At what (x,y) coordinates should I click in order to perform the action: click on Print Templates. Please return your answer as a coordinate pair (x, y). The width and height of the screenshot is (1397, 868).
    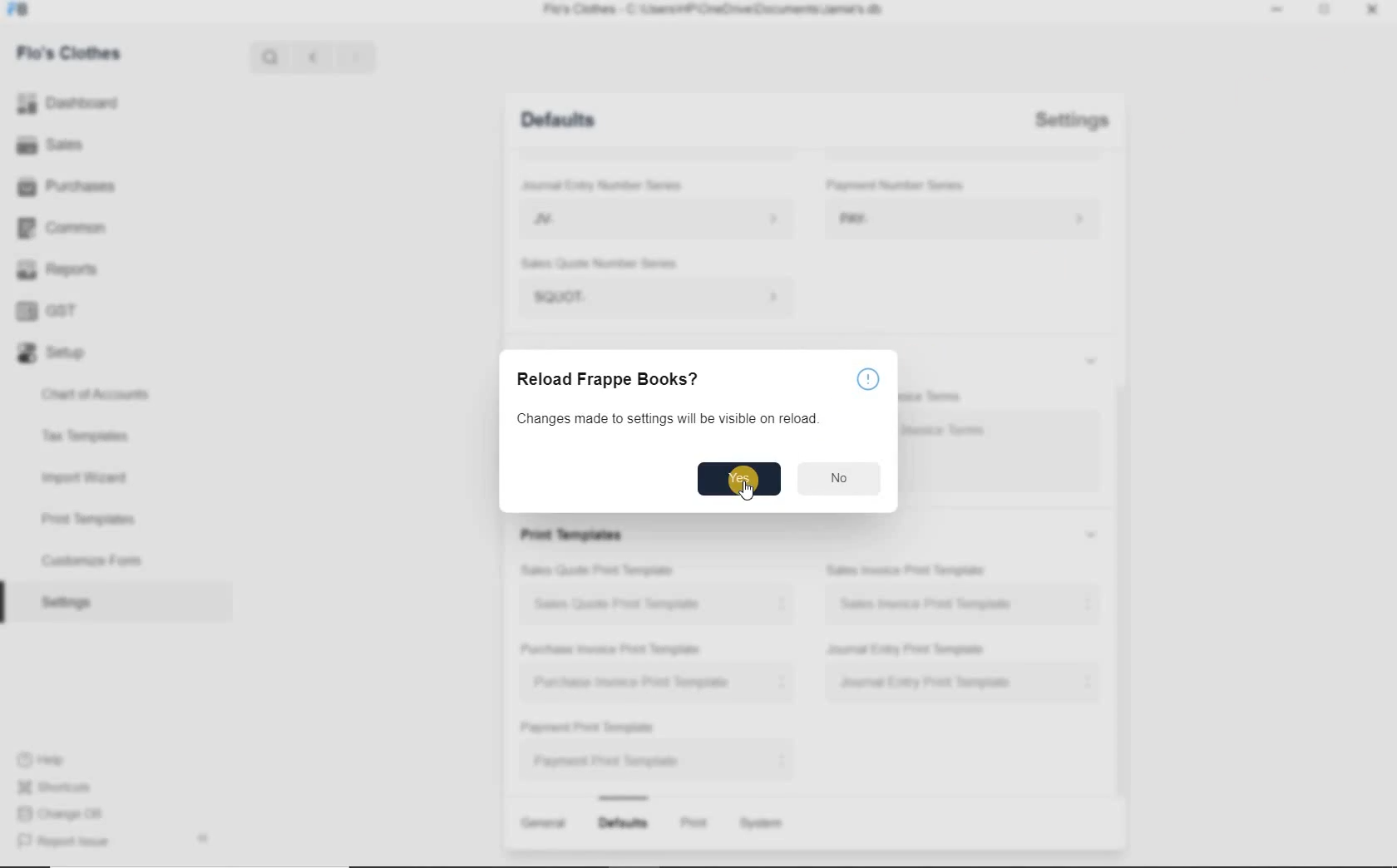
    Looking at the image, I should click on (86, 518).